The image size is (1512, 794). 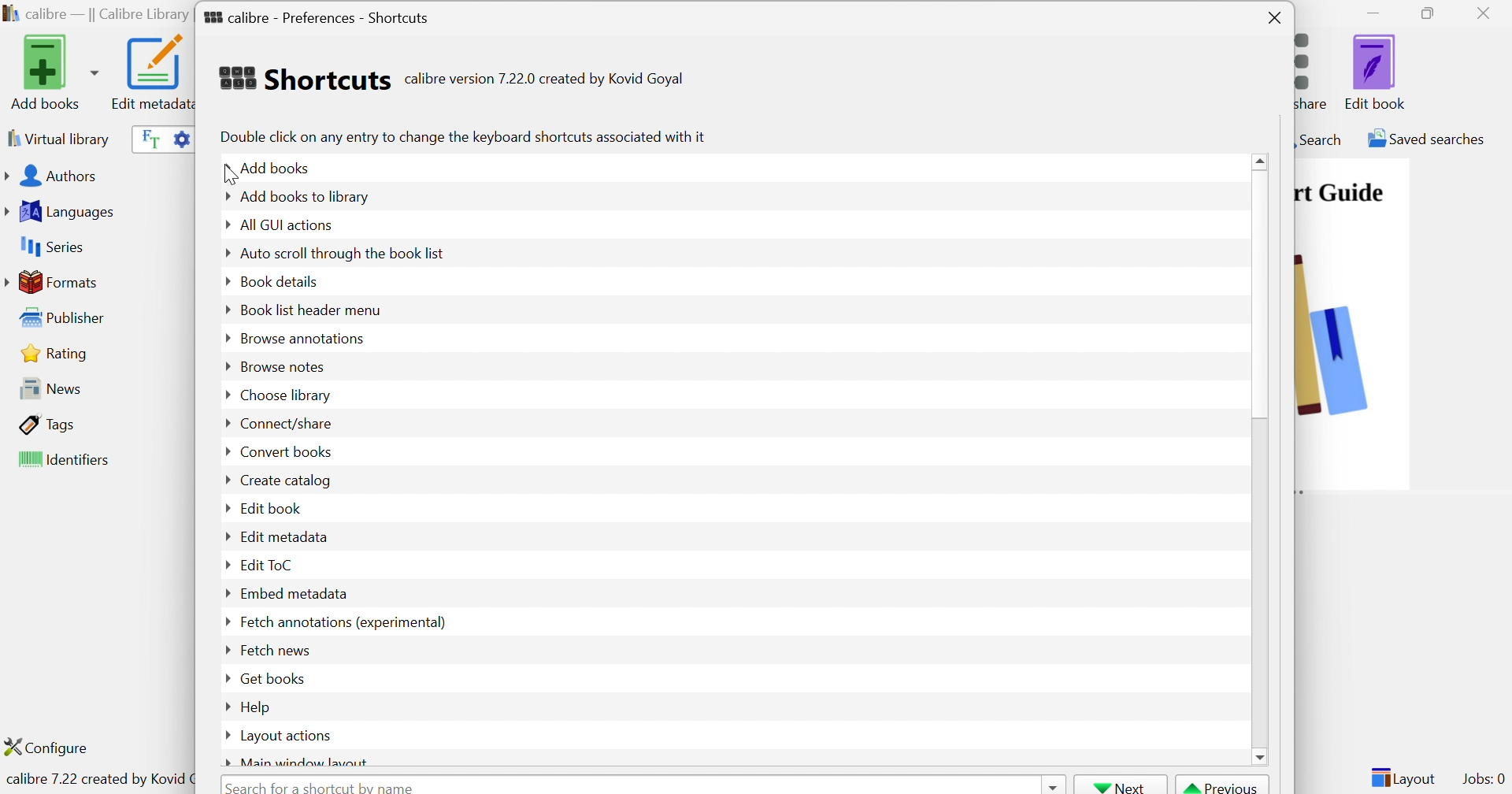 What do you see at coordinates (48, 424) in the screenshot?
I see `Tags` at bounding box center [48, 424].